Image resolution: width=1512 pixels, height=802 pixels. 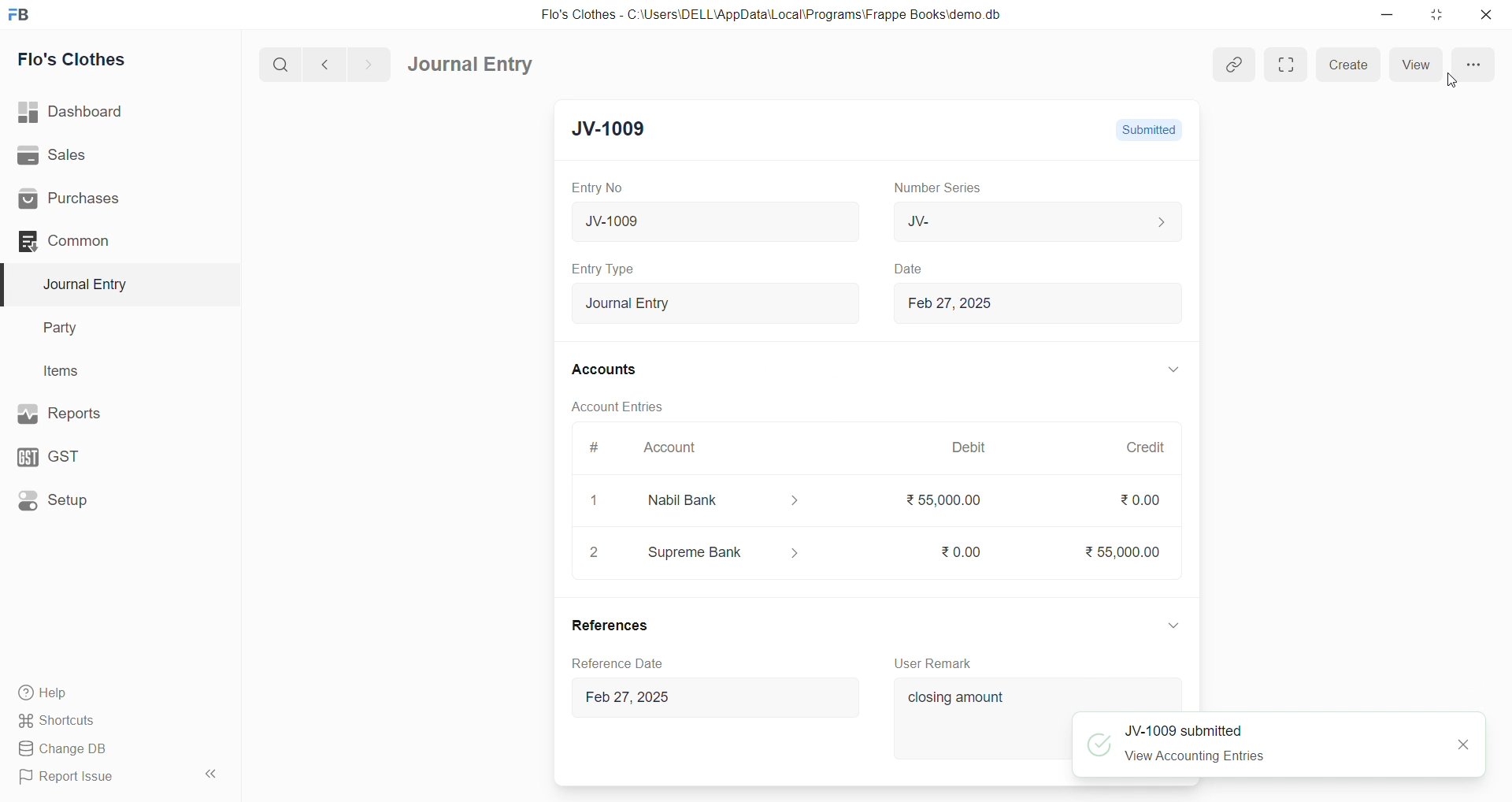 I want to click on more options, so click(x=1475, y=65).